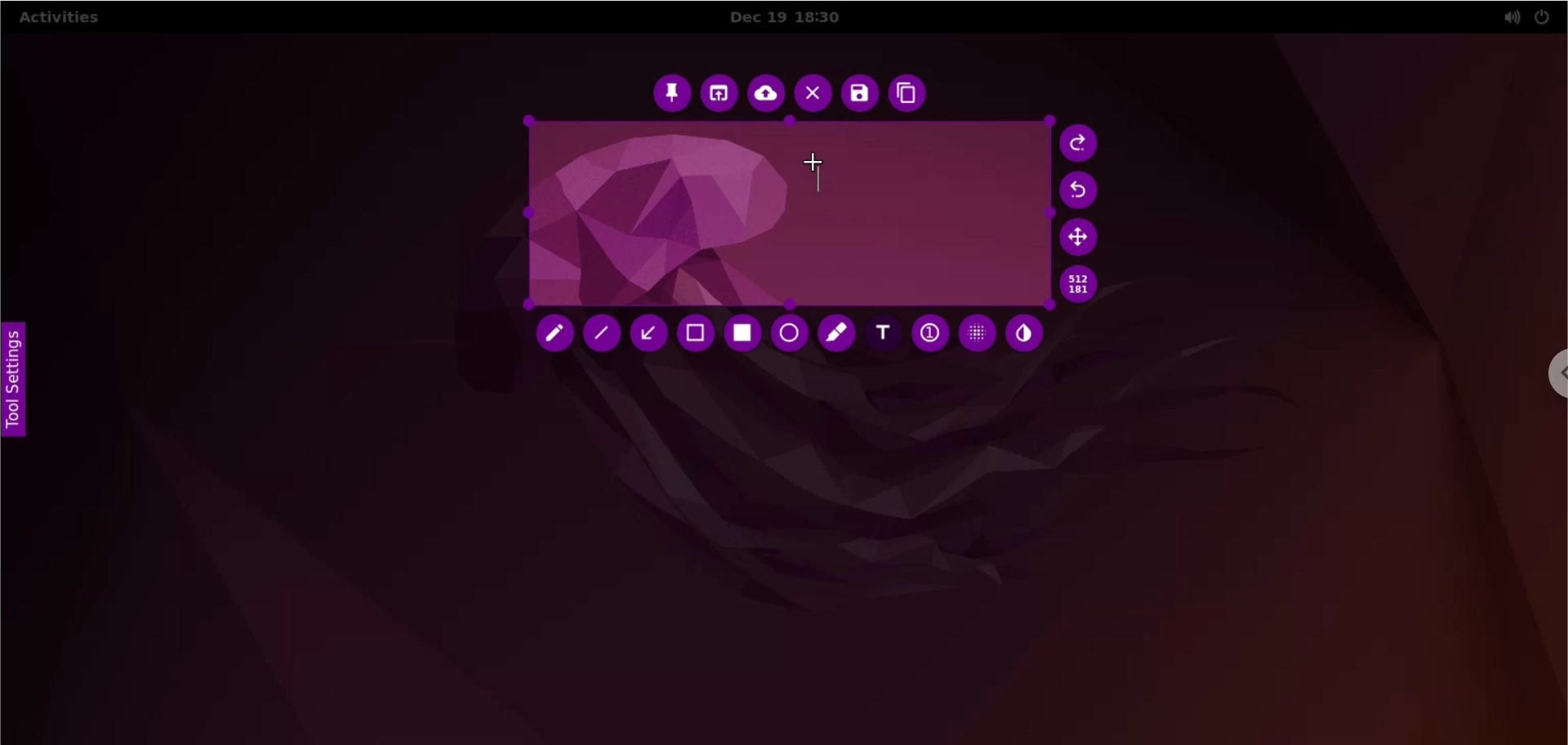 The width and height of the screenshot is (1568, 745). What do you see at coordinates (791, 334) in the screenshot?
I see `circle tool` at bounding box center [791, 334].